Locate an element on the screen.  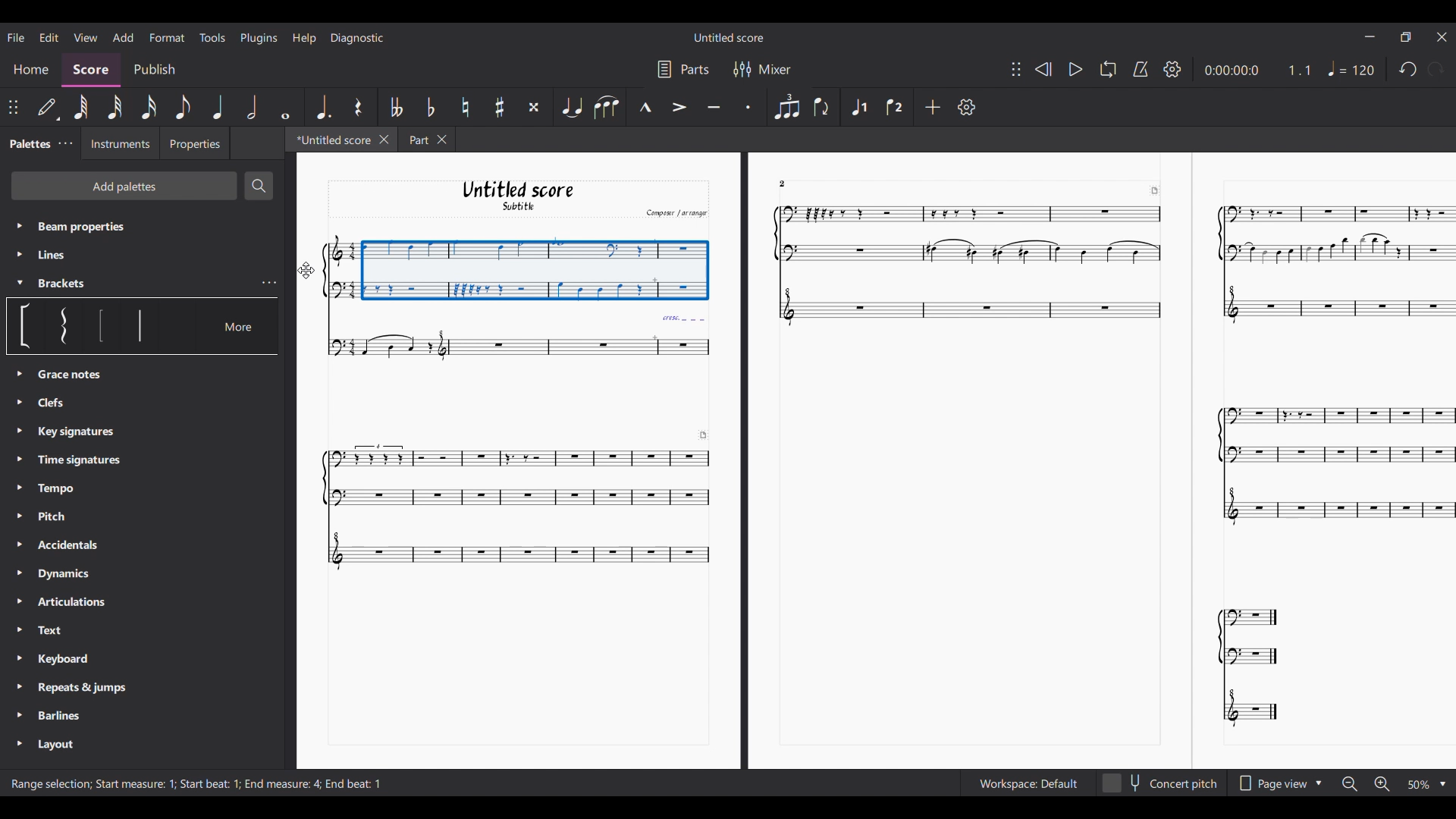
 is located at coordinates (1341, 260).